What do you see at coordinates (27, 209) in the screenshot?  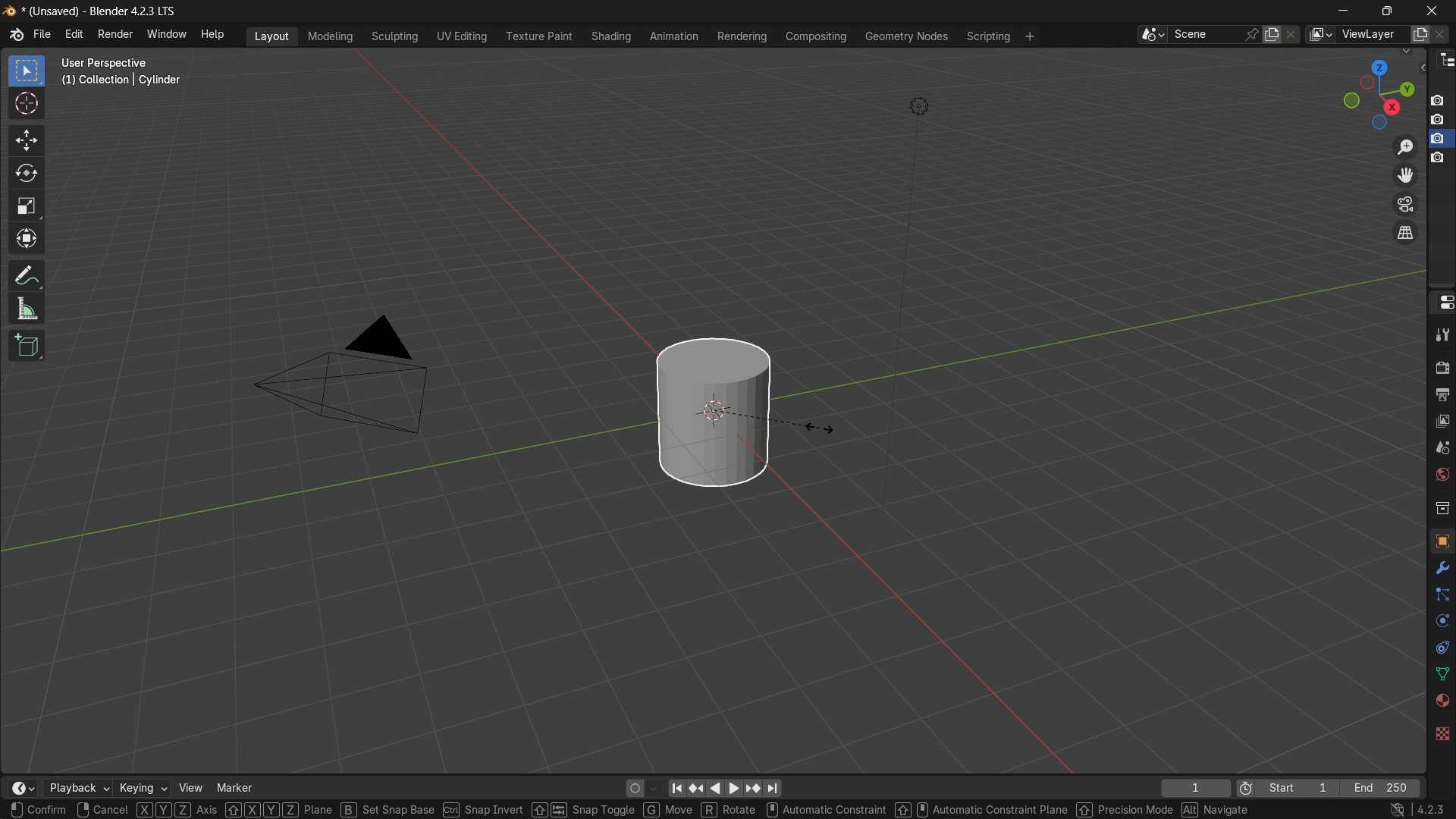 I see `scale` at bounding box center [27, 209].